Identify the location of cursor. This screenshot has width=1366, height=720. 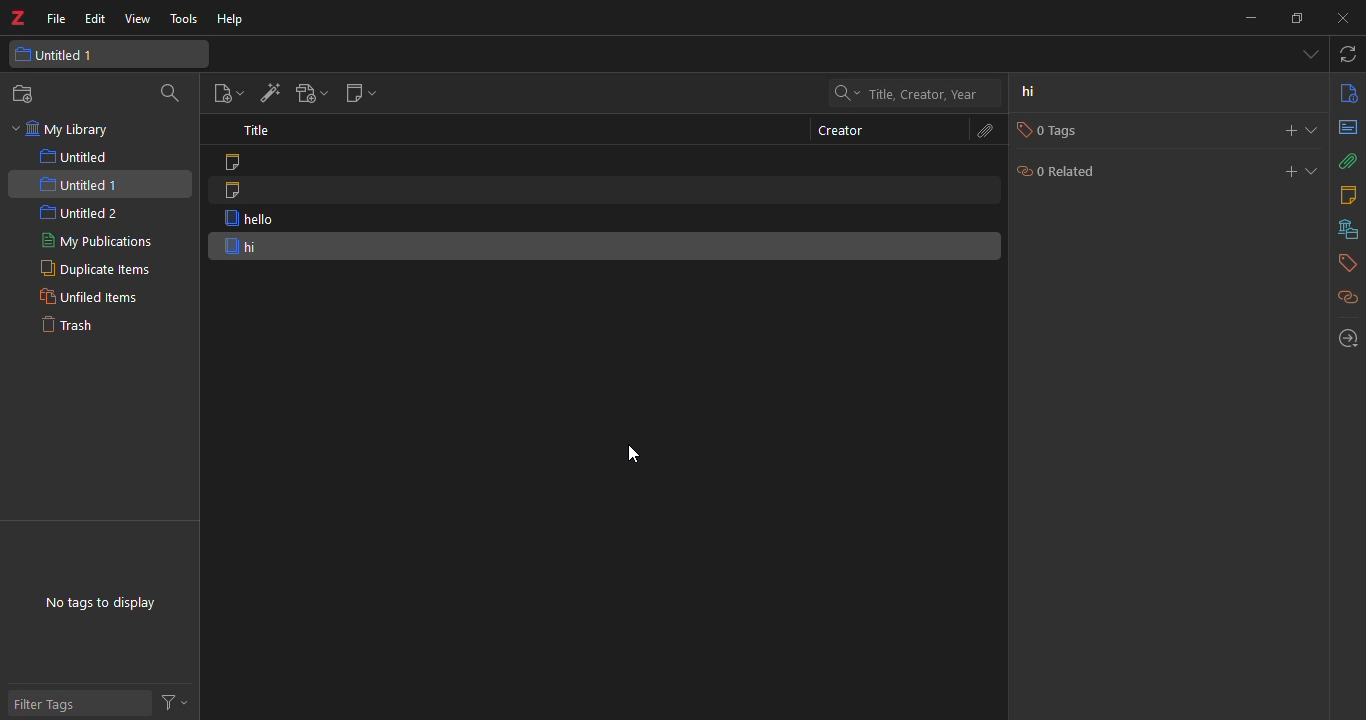
(633, 452).